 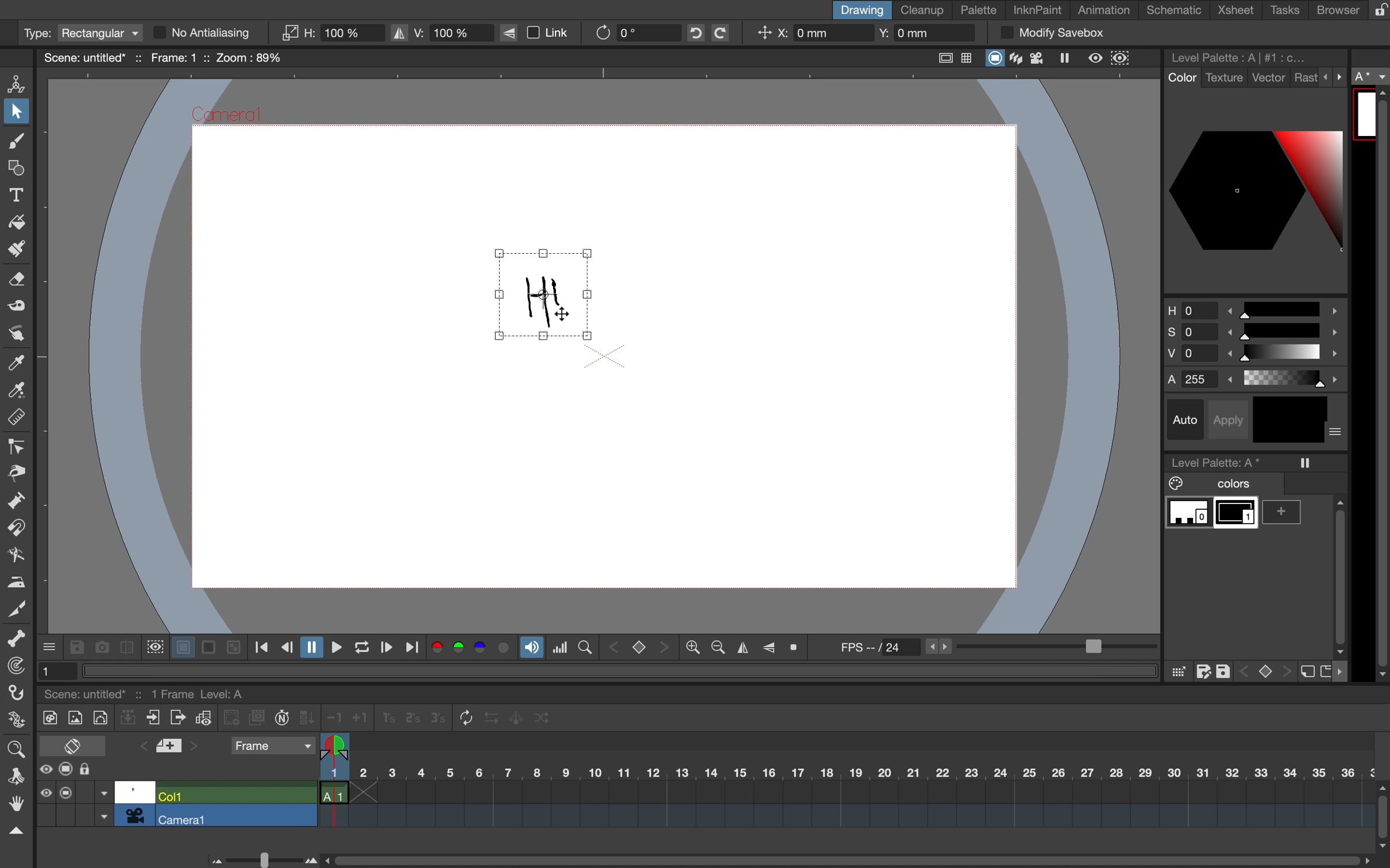 I want to click on cutter tool, so click(x=17, y=607).